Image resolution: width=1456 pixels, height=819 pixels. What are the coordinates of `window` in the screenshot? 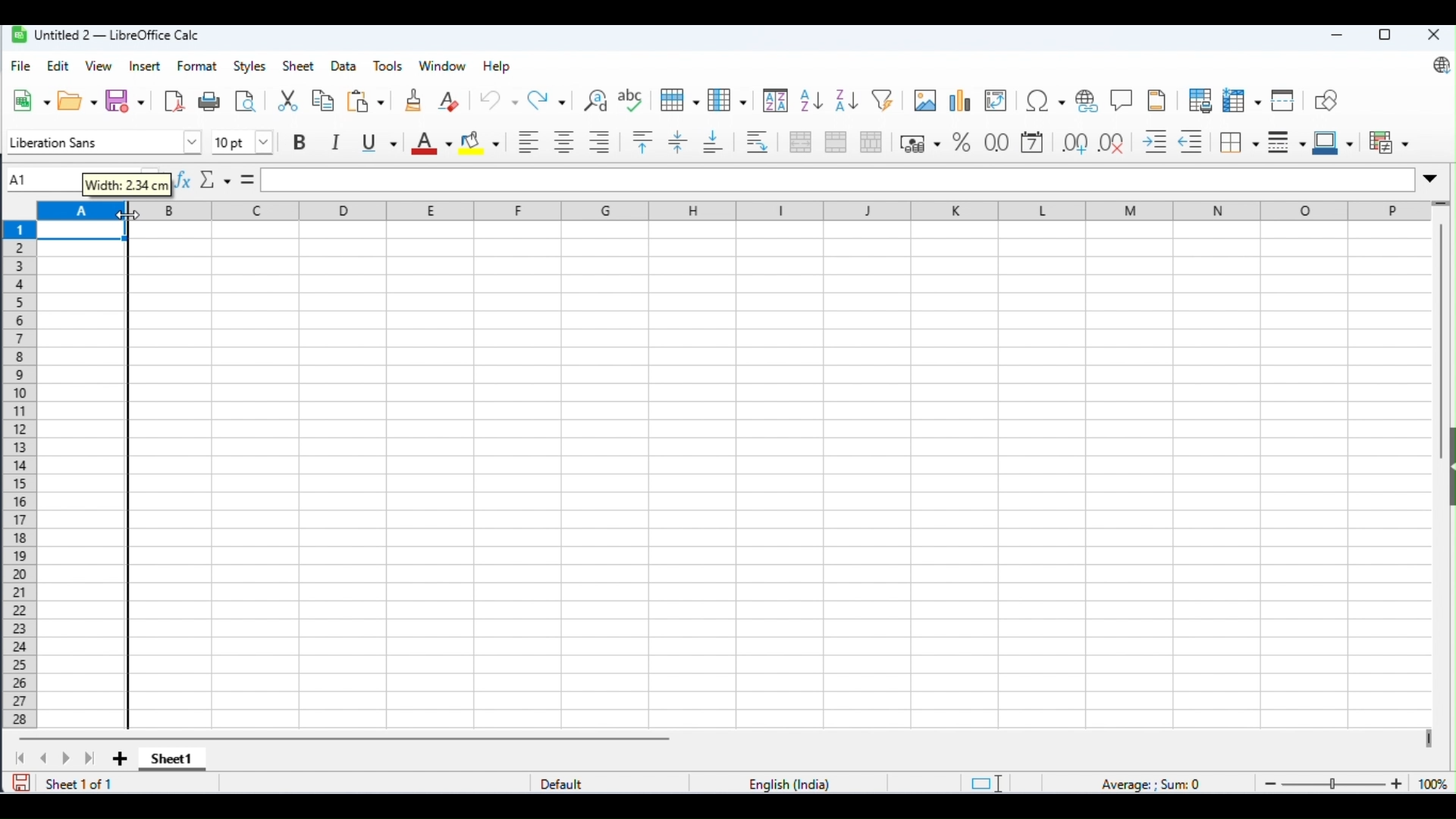 It's located at (444, 66).